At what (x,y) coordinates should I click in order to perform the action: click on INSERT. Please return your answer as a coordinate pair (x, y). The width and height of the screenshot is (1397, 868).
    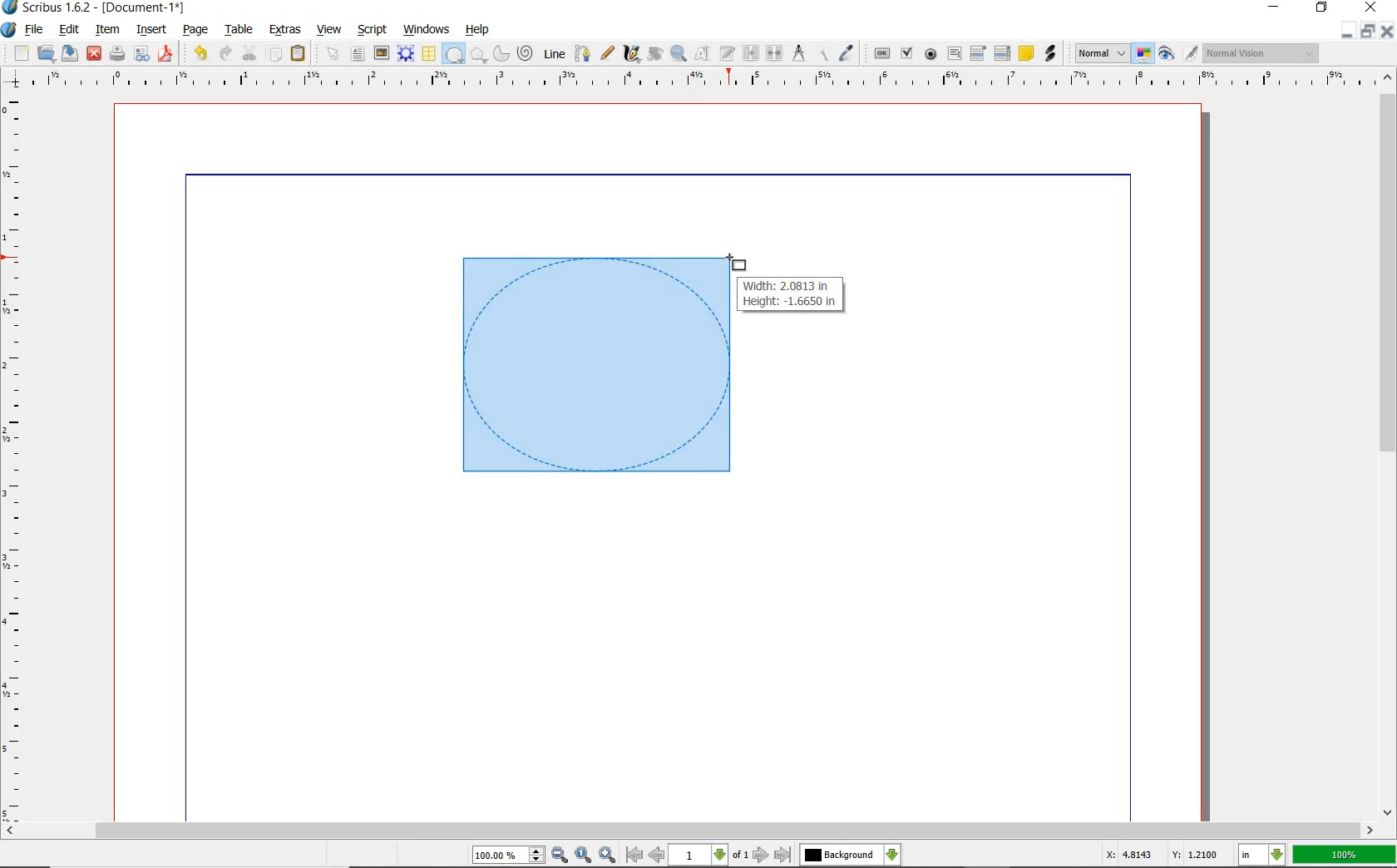
    Looking at the image, I should click on (151, 30).